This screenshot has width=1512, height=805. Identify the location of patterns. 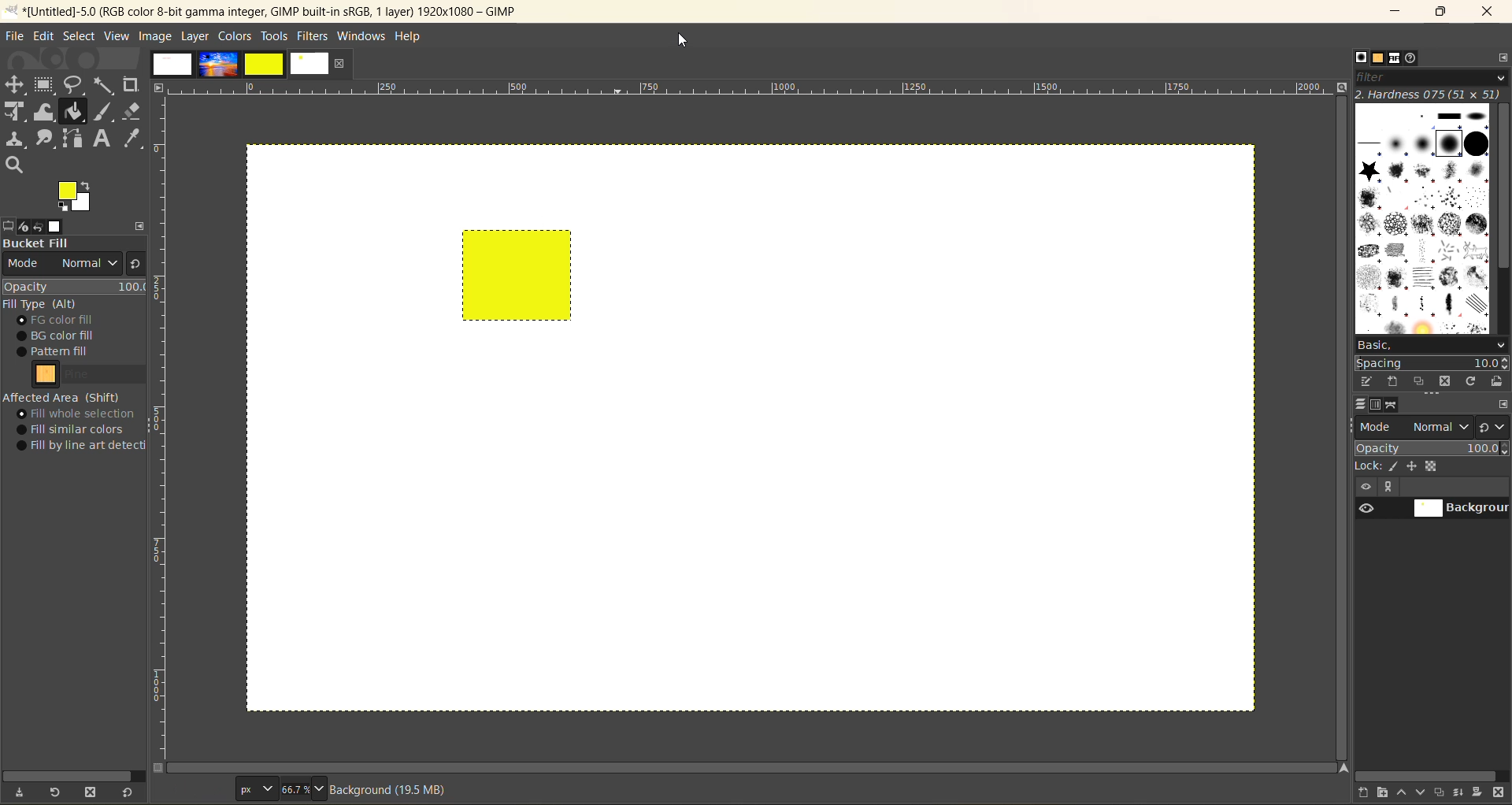
(1378, 60).